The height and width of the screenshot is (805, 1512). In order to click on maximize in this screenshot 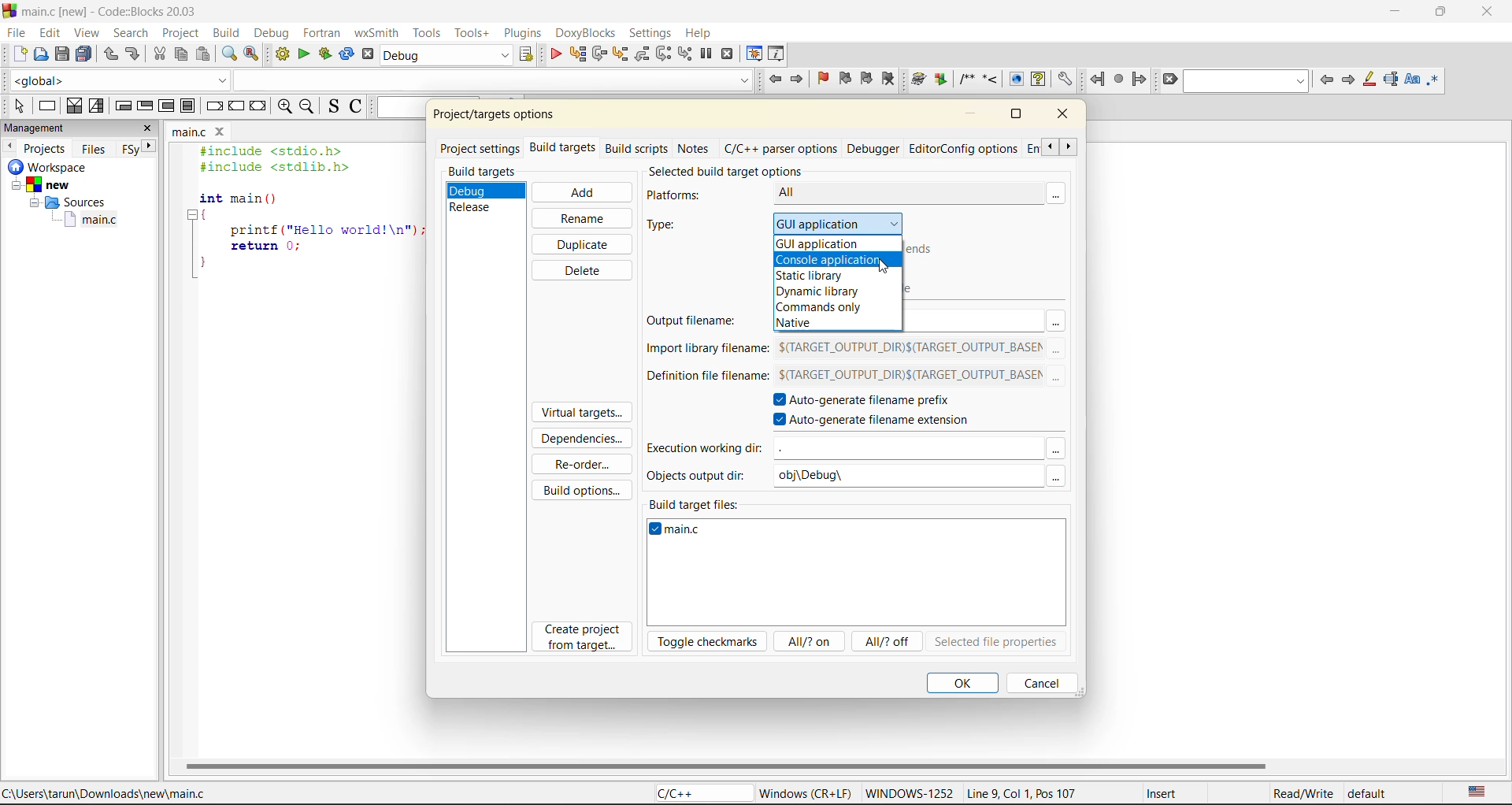, I will do `click(1015, 113)`.